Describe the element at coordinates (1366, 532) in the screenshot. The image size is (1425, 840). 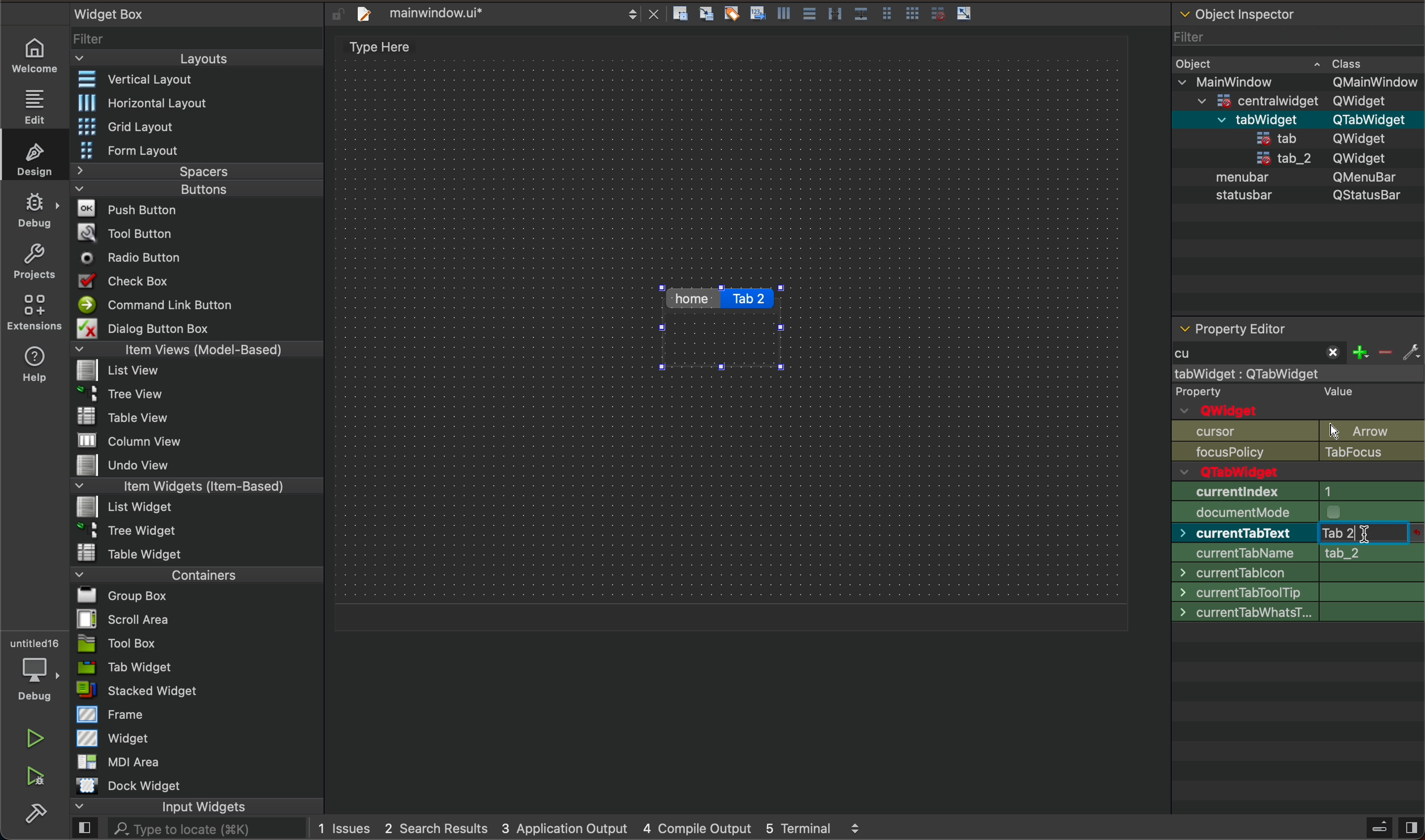
I see `click` at that location.